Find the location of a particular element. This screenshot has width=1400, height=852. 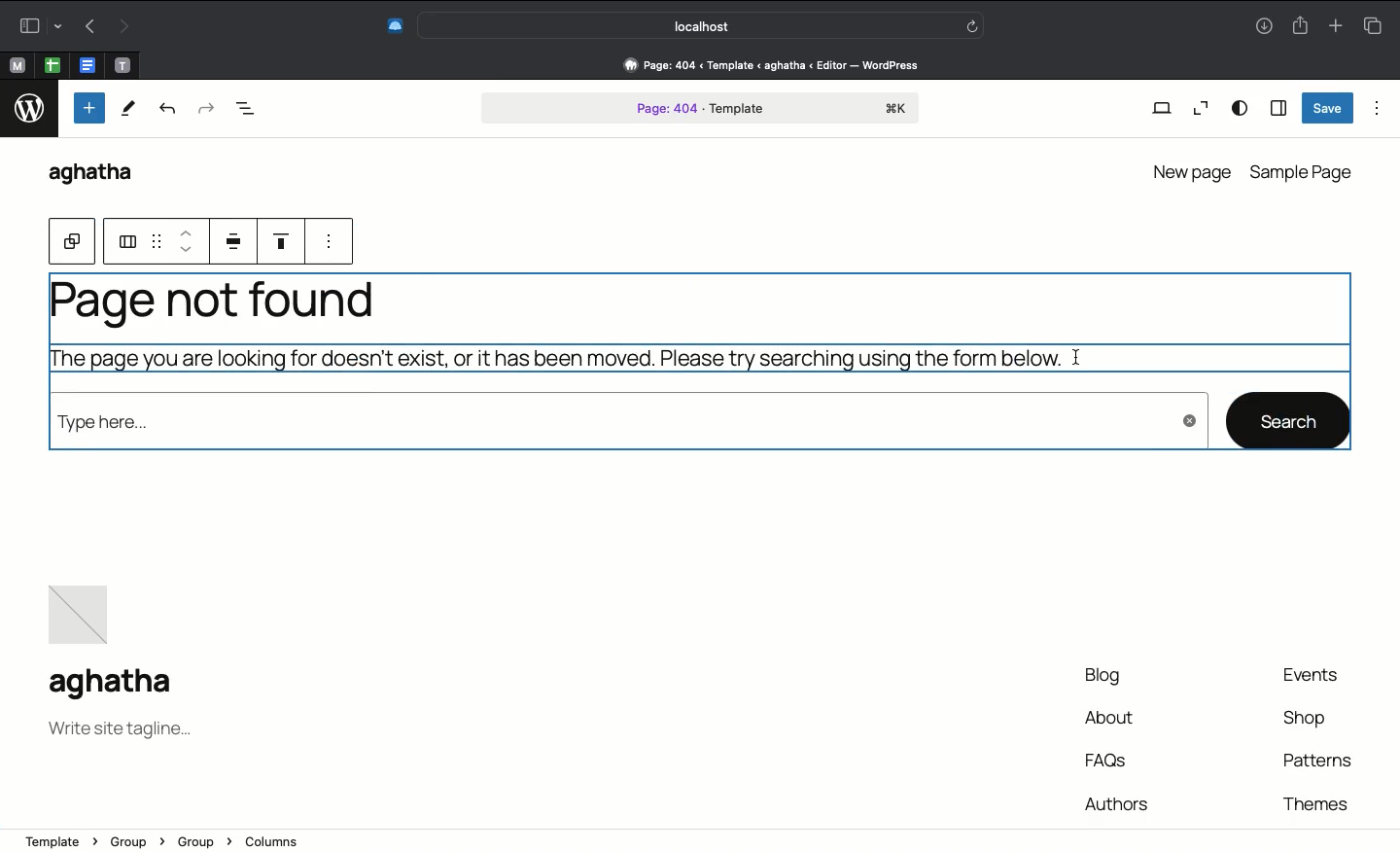

View is located at coordinates (1161, 110).